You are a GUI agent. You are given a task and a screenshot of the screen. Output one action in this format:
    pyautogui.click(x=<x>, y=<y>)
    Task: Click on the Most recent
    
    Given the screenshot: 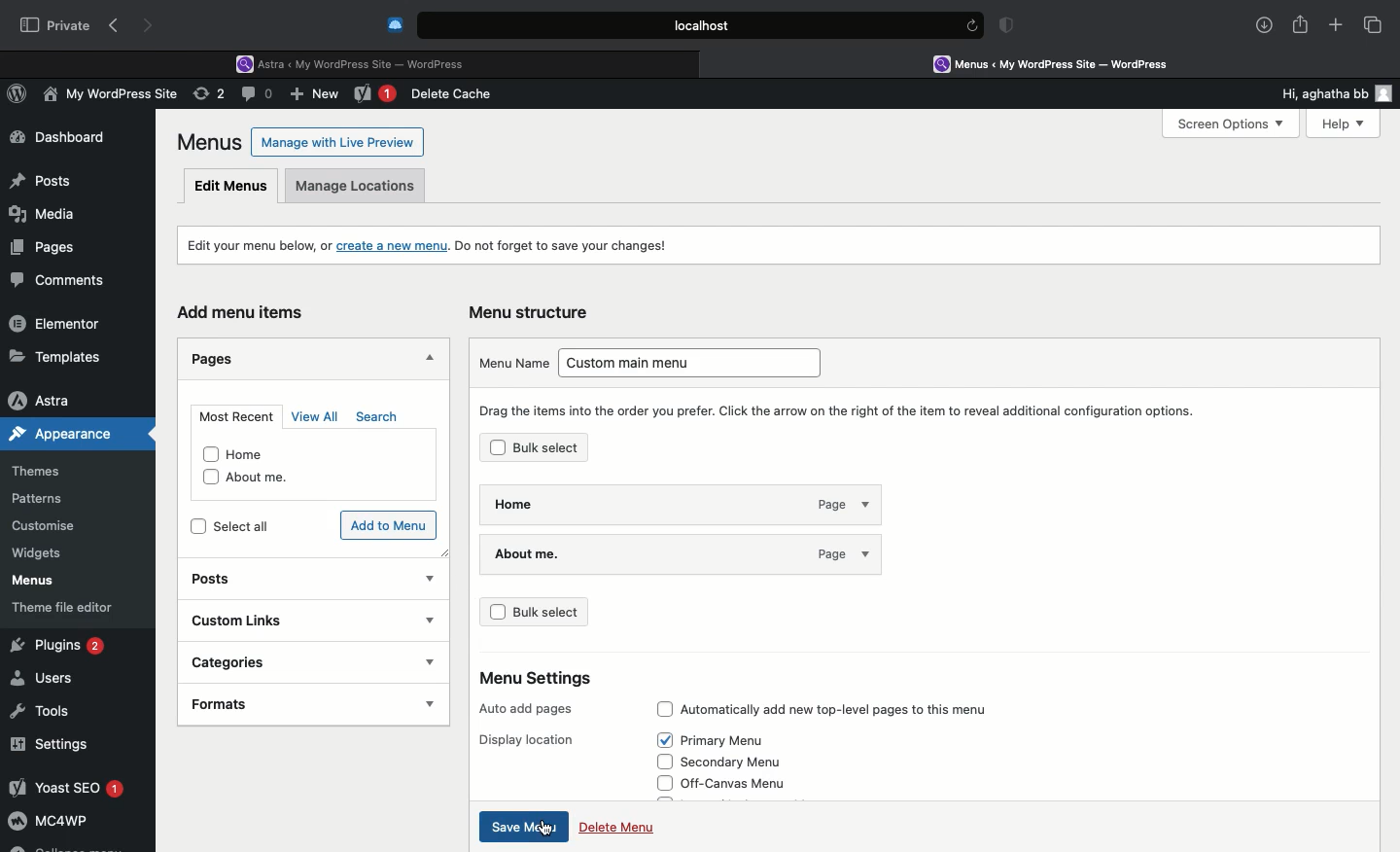 What is the action you would take?
    pyautogui.click(x=233, y=416)
    